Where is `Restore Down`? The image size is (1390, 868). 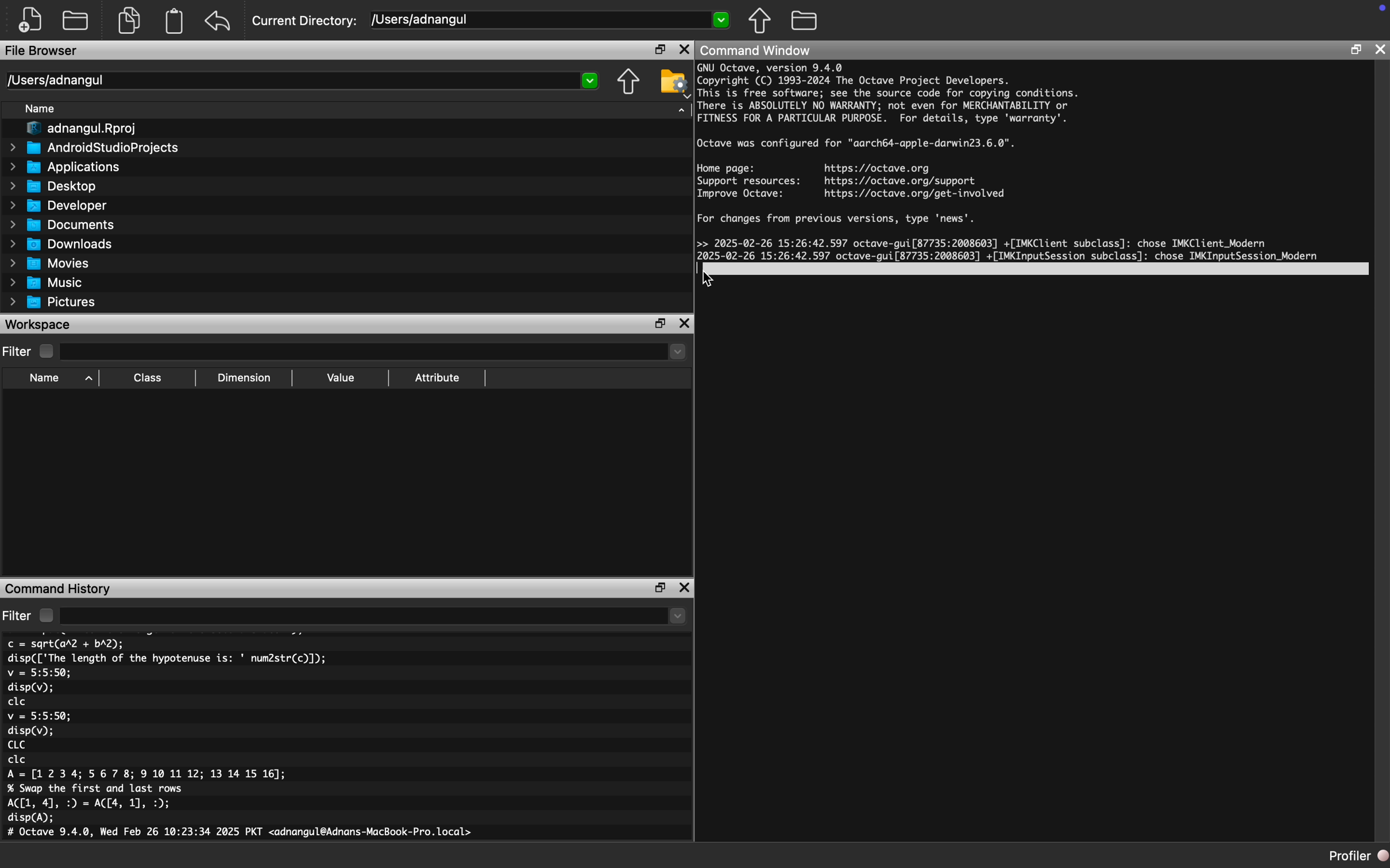 Restore Down is located at coordinates (660, 324).